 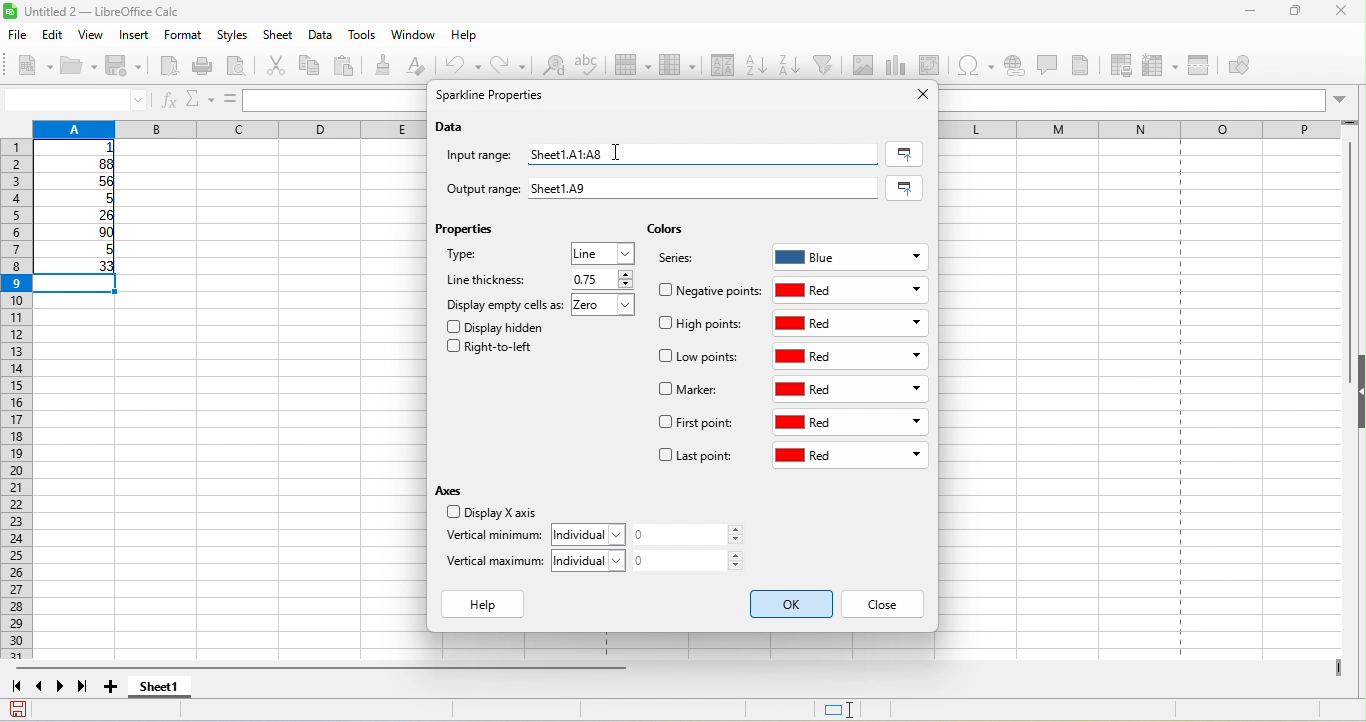 I want to click on data, so click(x=322, y=36).